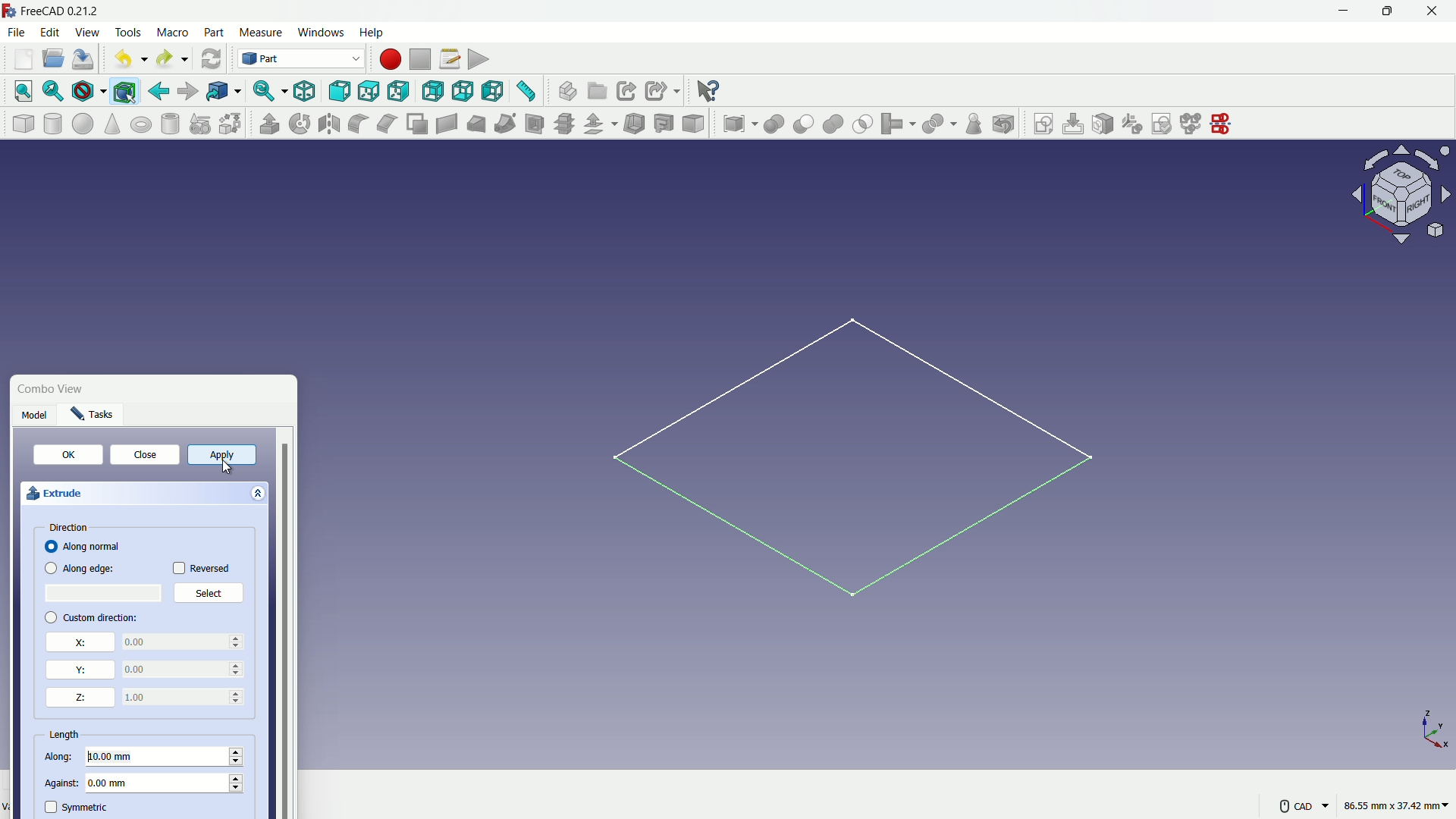  Describe the element at coordinates (432, 92) in the screenshot. I see `back view` at that location.